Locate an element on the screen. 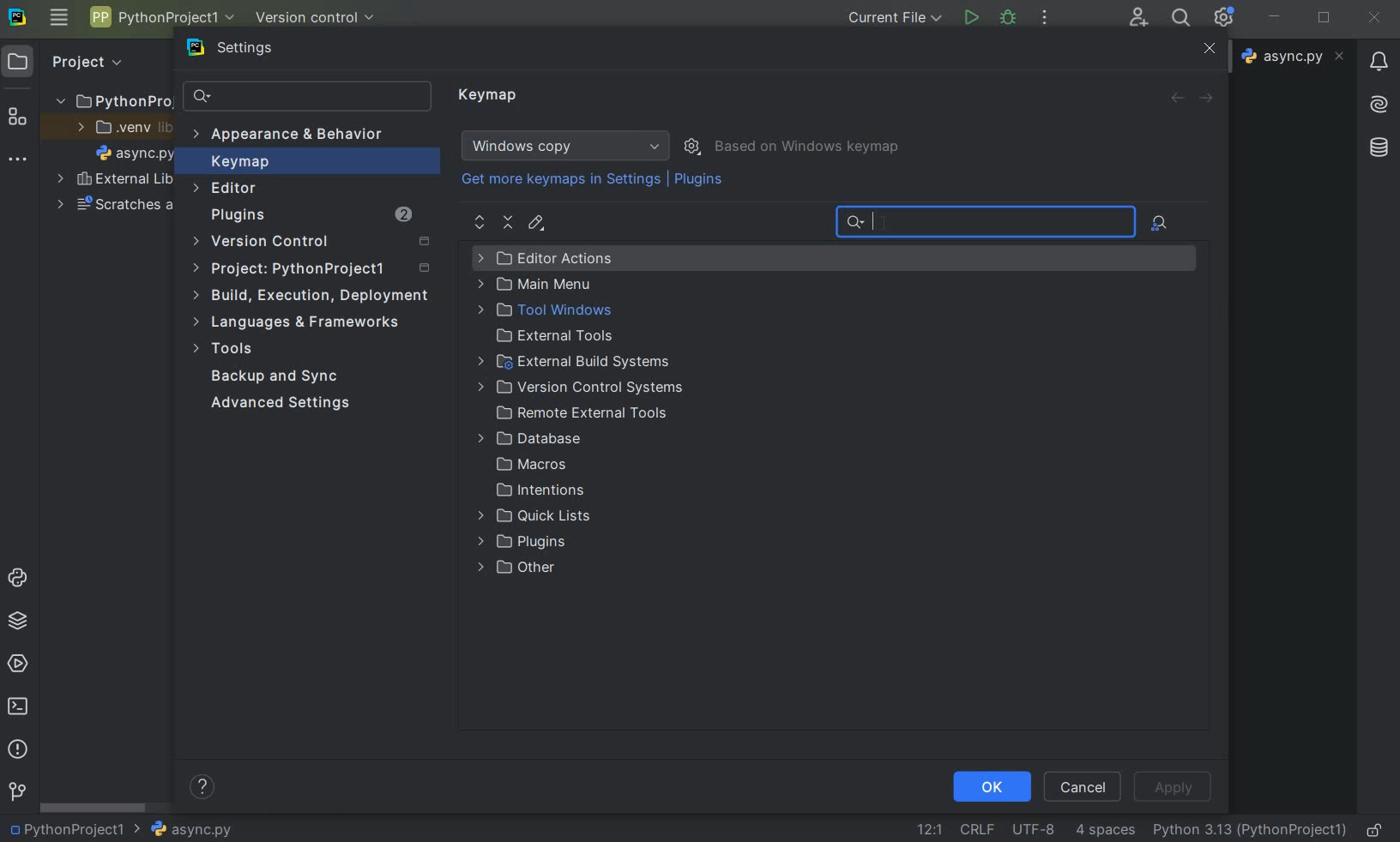 This screenshot has height=842, width=1400. project name is located at coordinates (112, 98).